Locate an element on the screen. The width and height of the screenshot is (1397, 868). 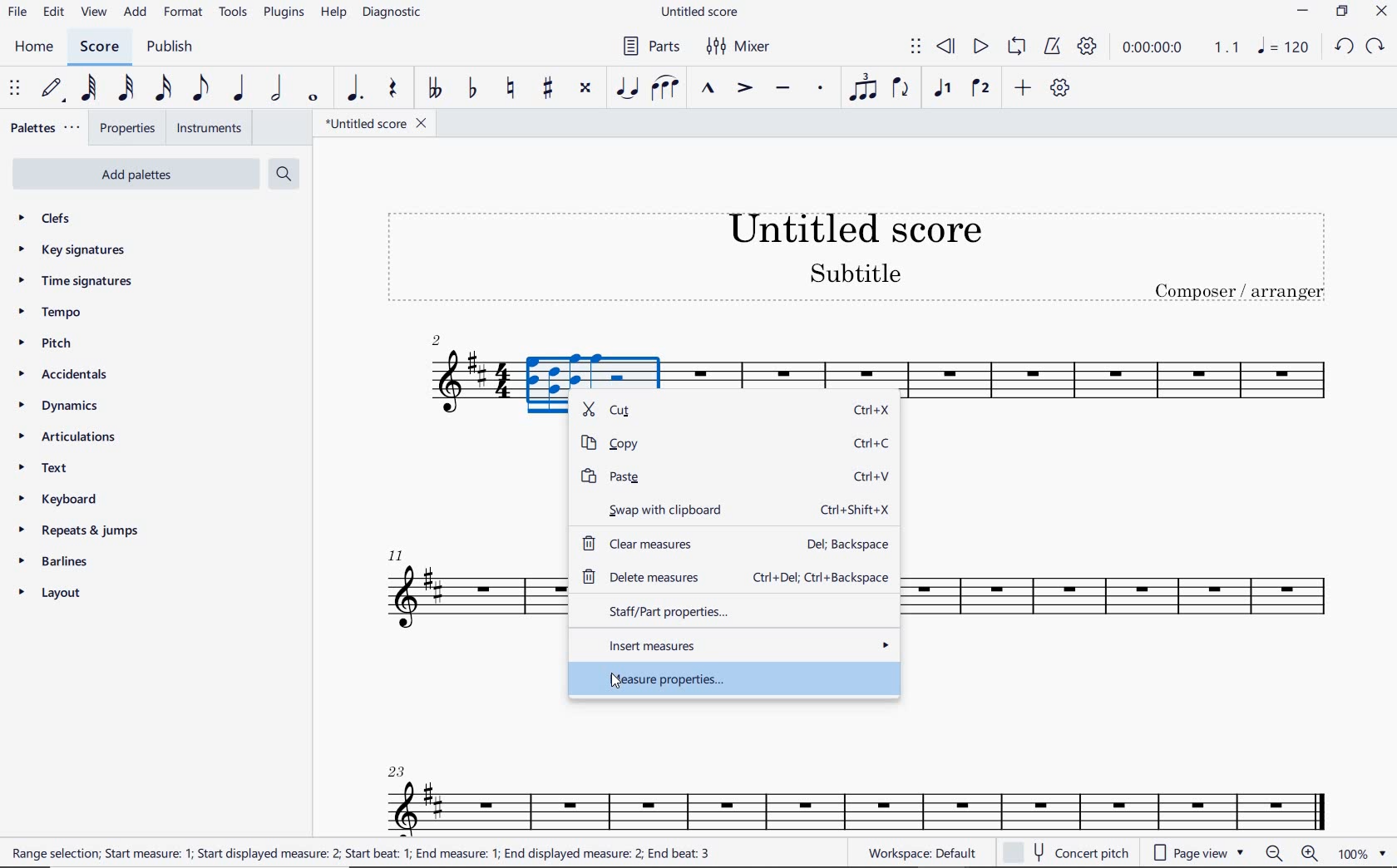
REDO is located at coordinates (1376, 47).